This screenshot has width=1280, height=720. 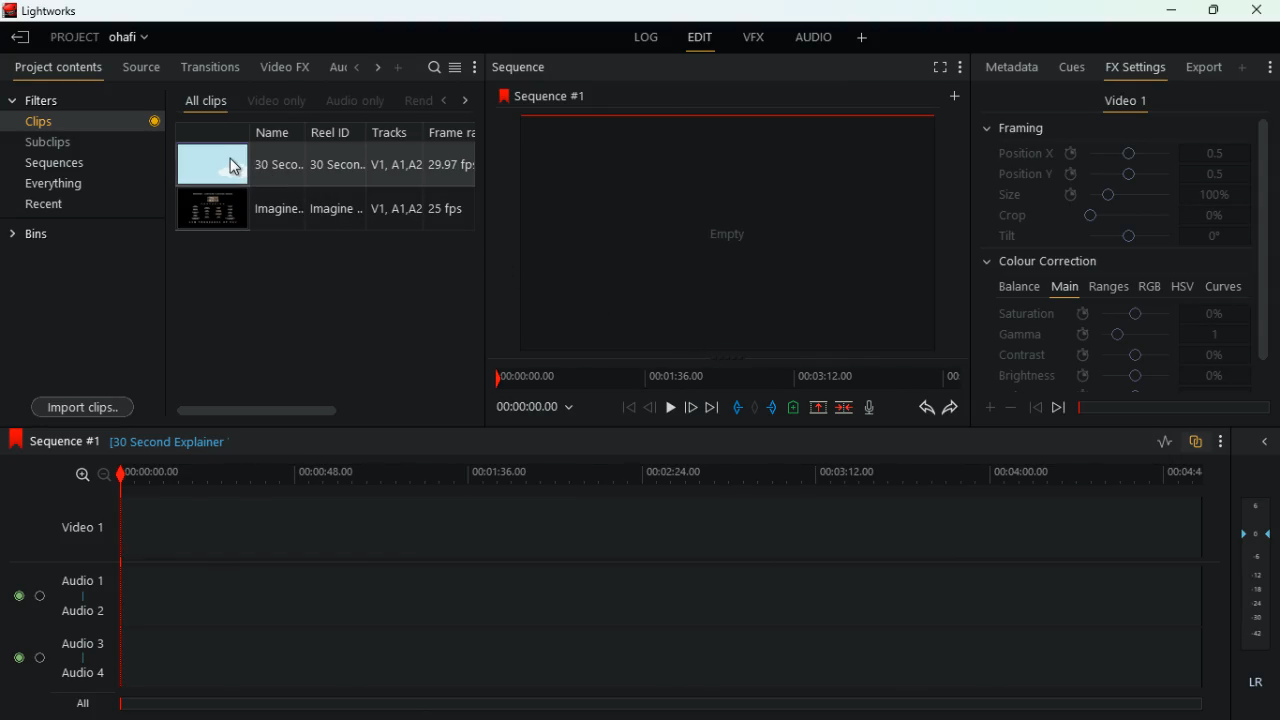 What do you see at coordinates (79, 645) in the screenshot?
I see `audio 3` at bounding box center [79, 645].